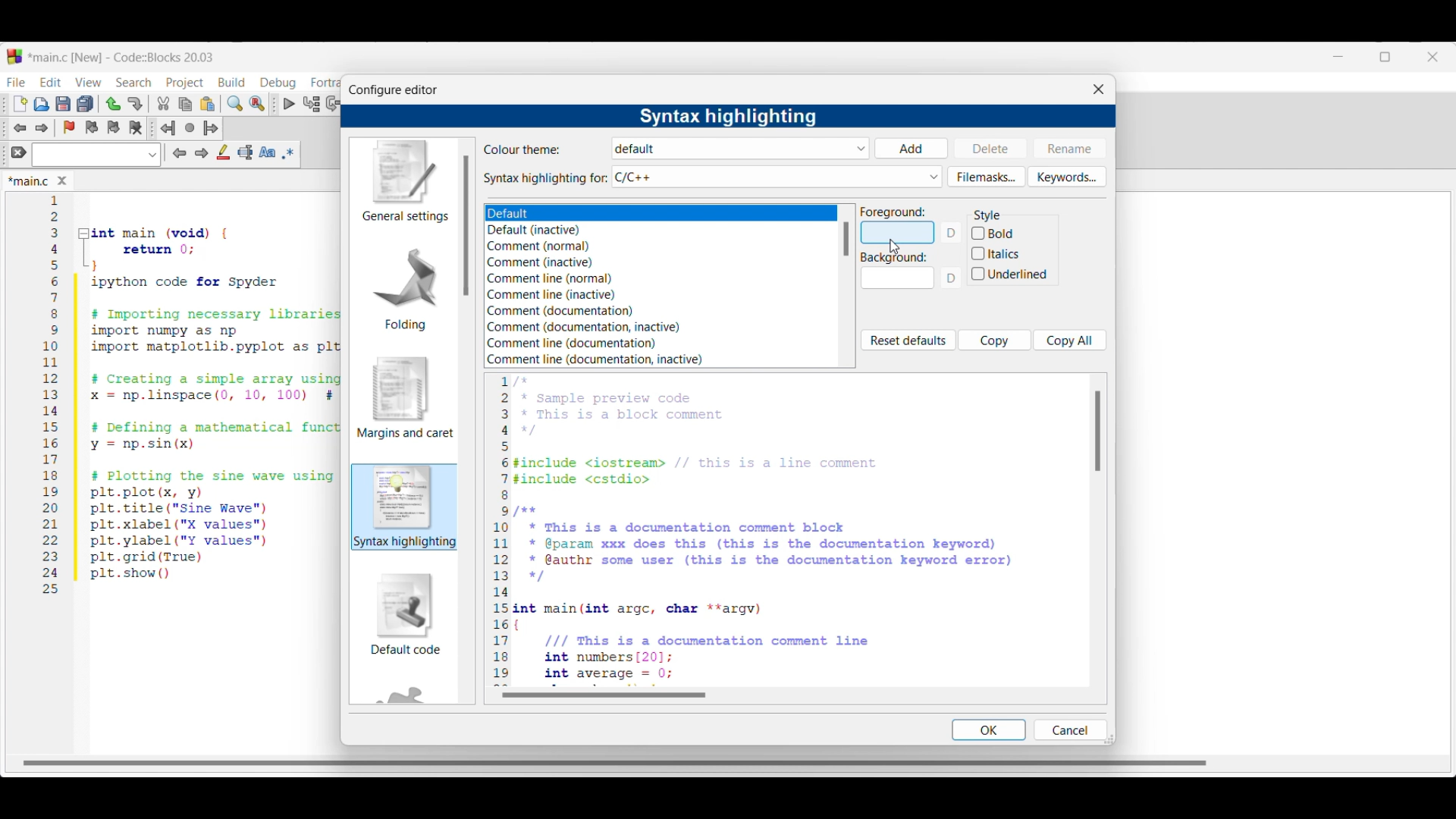 The width and height of the screenshot is (1456, 819). What do you see at coordinates (211, 128) in the screenshot?
I see `Jump forward` at bounding box center [211, 128].